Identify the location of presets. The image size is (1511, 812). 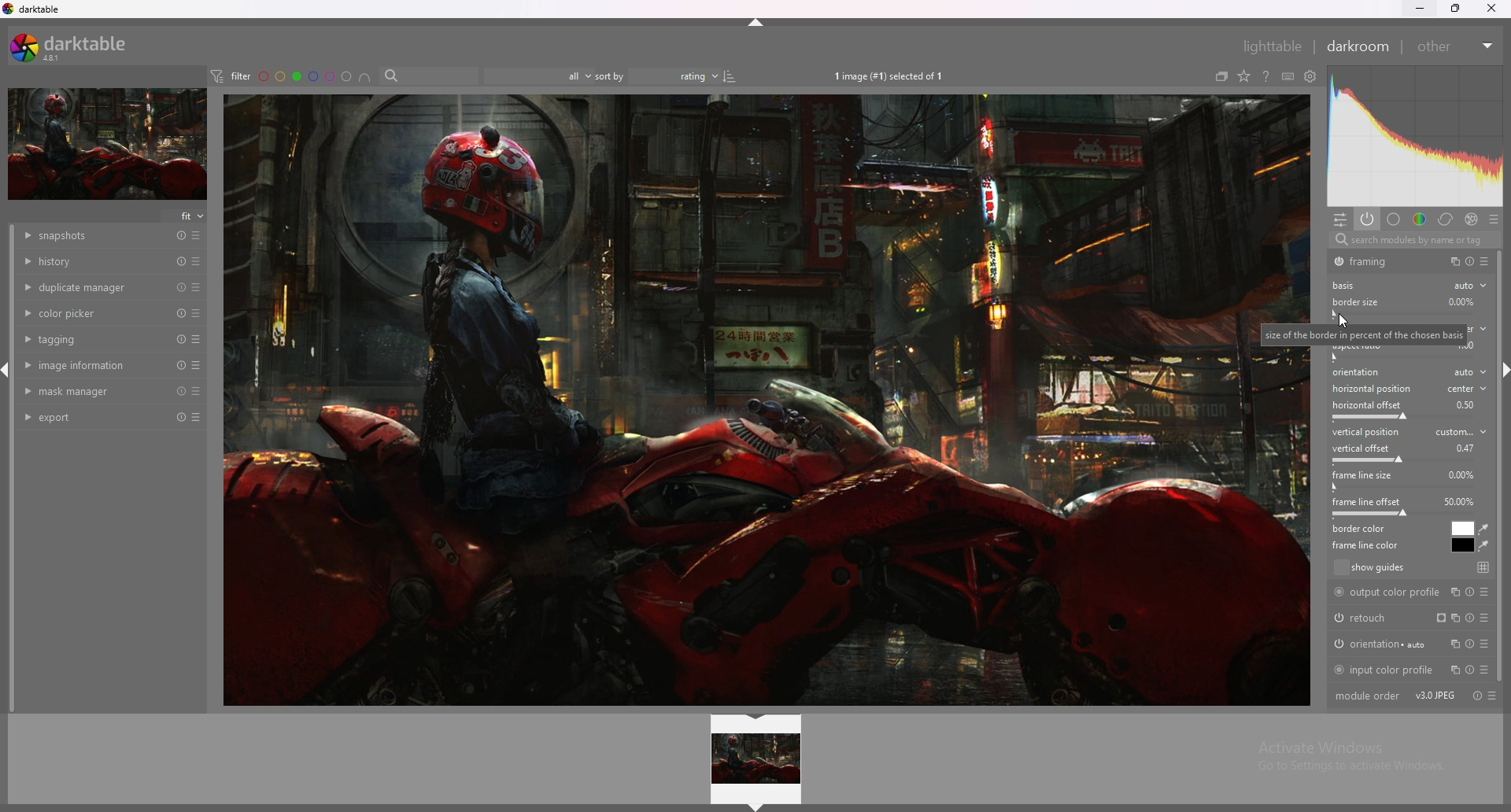
(196, 418).